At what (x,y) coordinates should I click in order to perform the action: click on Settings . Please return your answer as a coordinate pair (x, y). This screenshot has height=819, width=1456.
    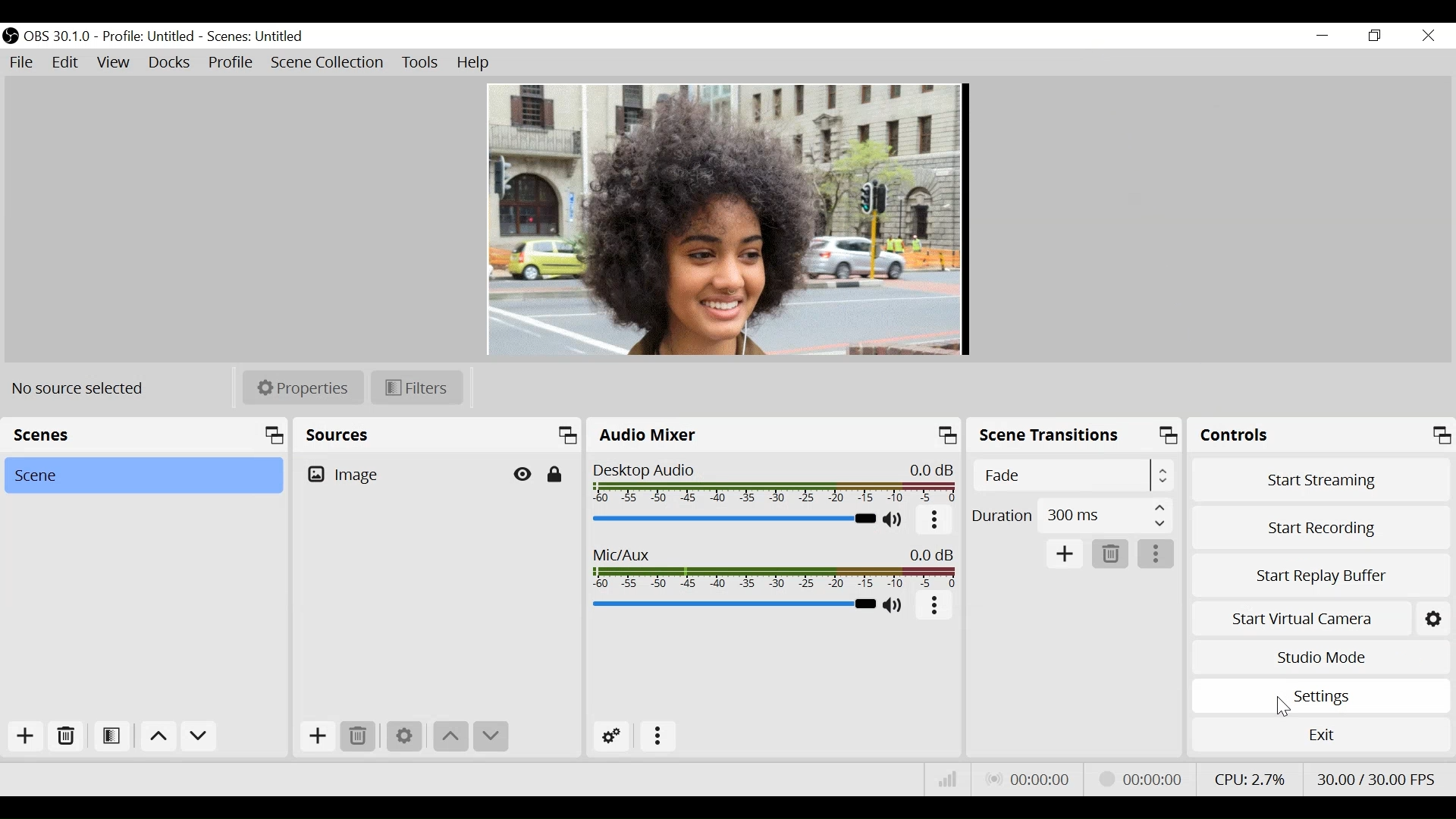
    Looking at the image, I should click on (403, 734).